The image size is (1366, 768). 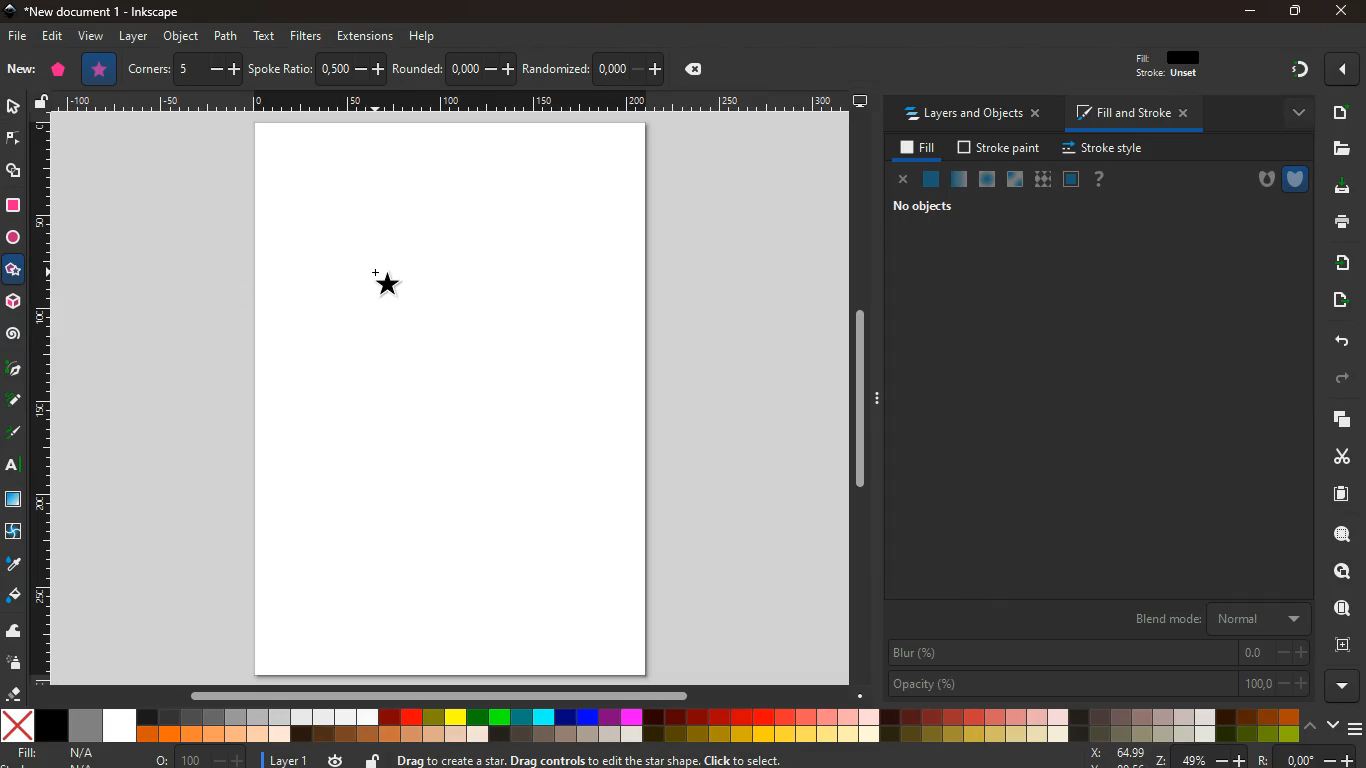 I want to click on filters, so click(x=306, y=35).